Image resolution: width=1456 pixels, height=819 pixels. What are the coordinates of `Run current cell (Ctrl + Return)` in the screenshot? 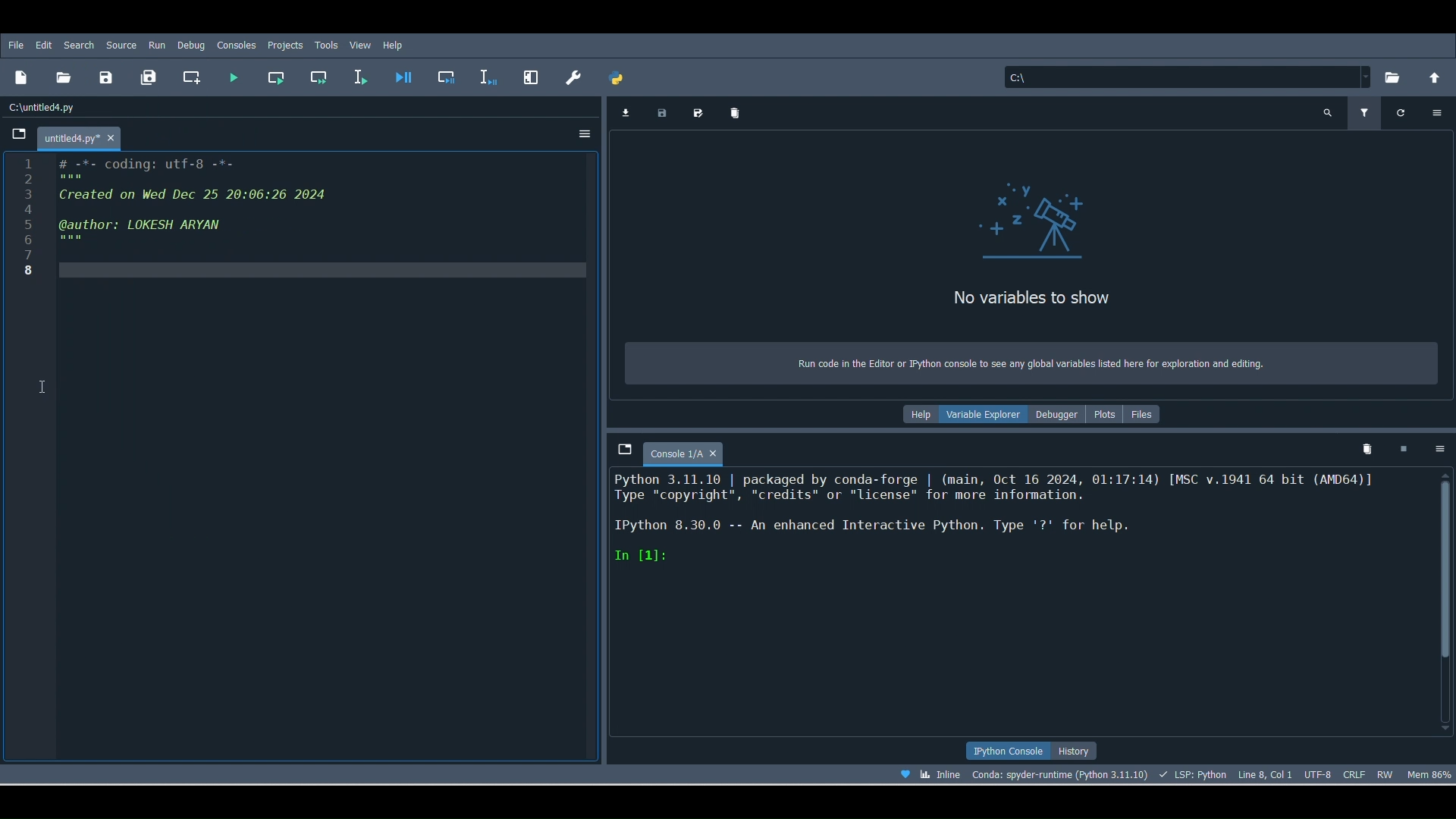 It's located at (279, 77).